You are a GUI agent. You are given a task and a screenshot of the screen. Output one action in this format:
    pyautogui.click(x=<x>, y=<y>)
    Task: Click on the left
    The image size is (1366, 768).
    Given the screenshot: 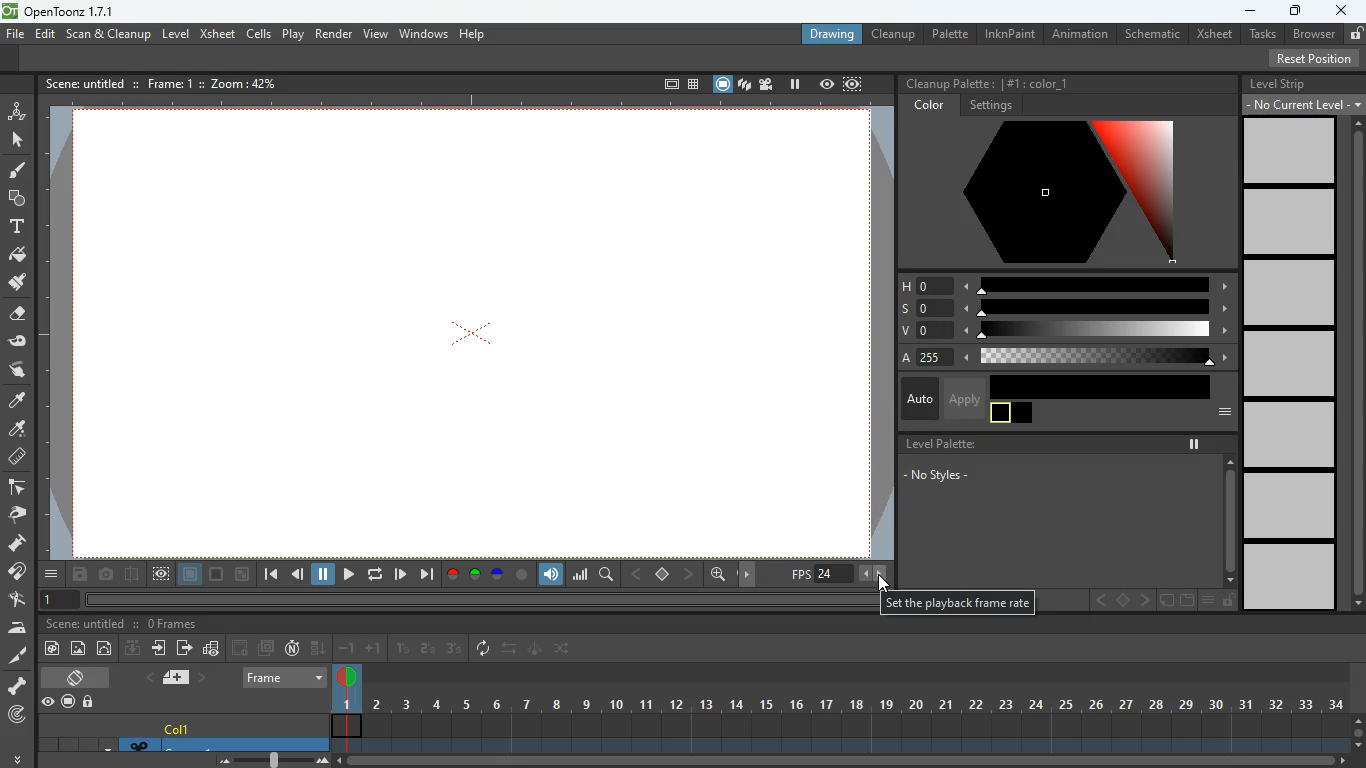 What is the action you would take?
    pyautogui.click(x=1095, y=601)
    